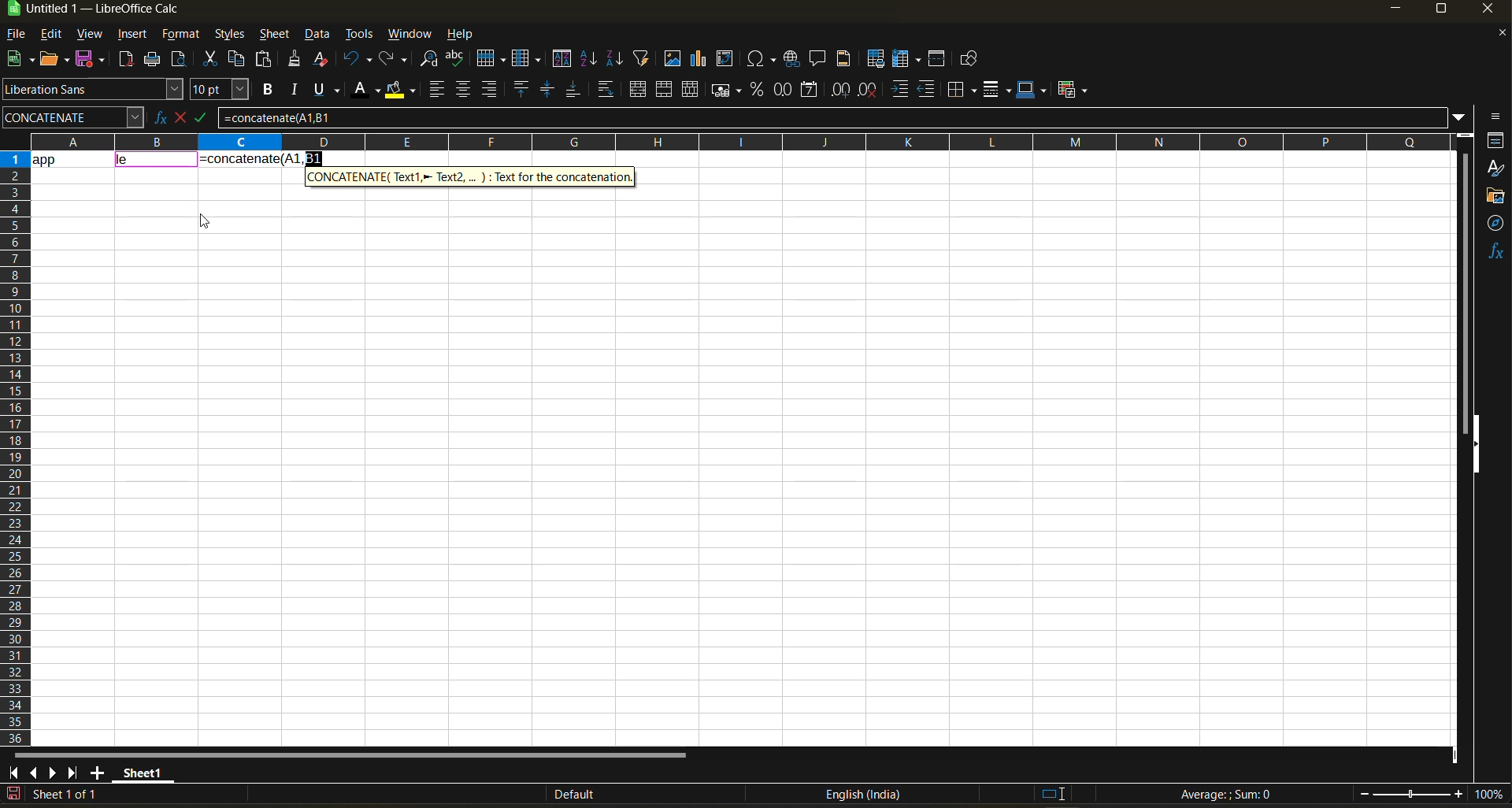 The width and height of the screenshot is (1512, 808). What do you see at coordinates (734, 141) in the screenshot?
I see `rows` at bounding box center [734, 141].